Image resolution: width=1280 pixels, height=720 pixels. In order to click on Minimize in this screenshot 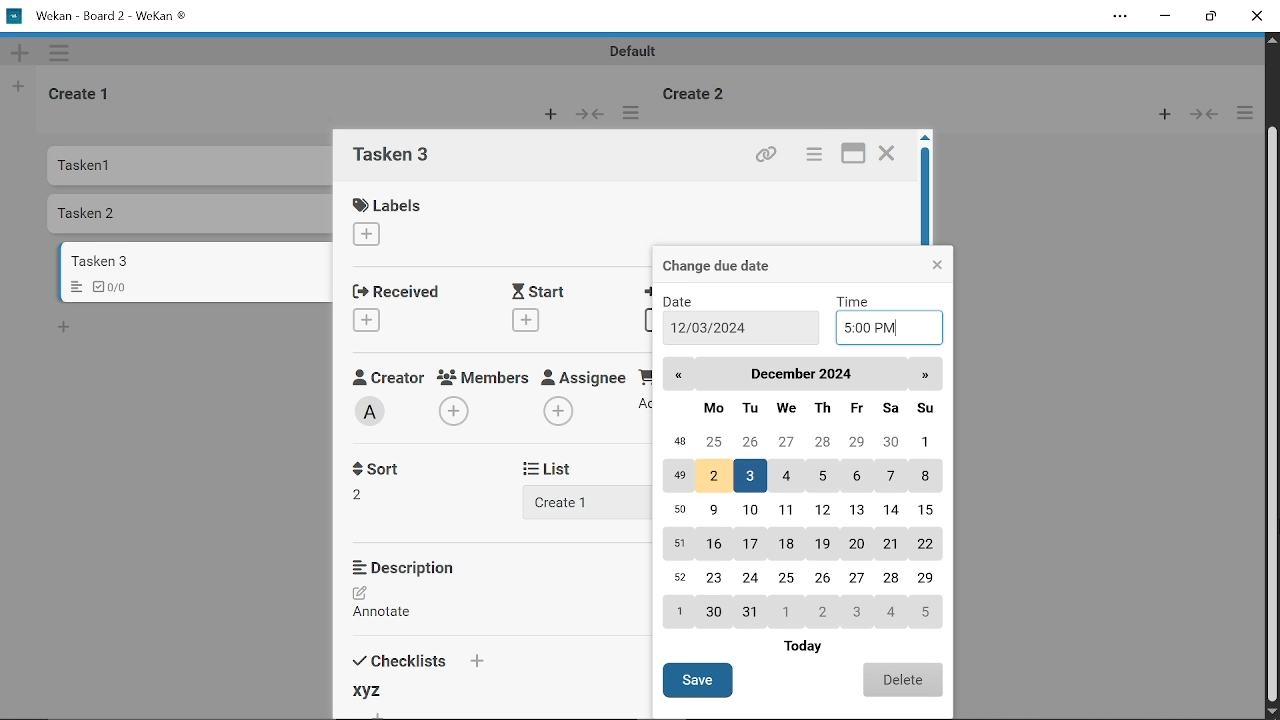, I will do `click(1166, 17)`.